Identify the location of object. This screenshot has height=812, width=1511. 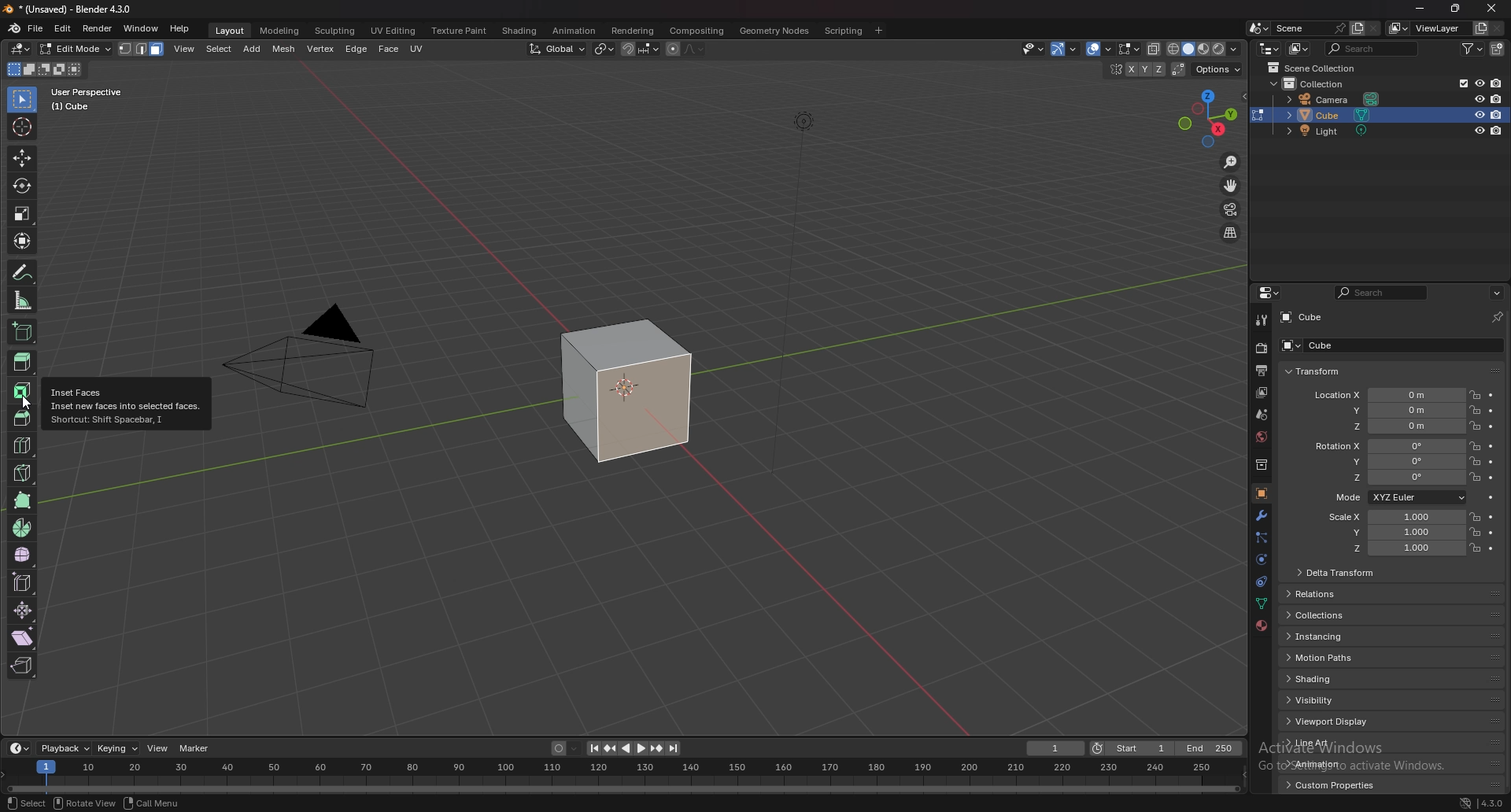
(1262, 493).